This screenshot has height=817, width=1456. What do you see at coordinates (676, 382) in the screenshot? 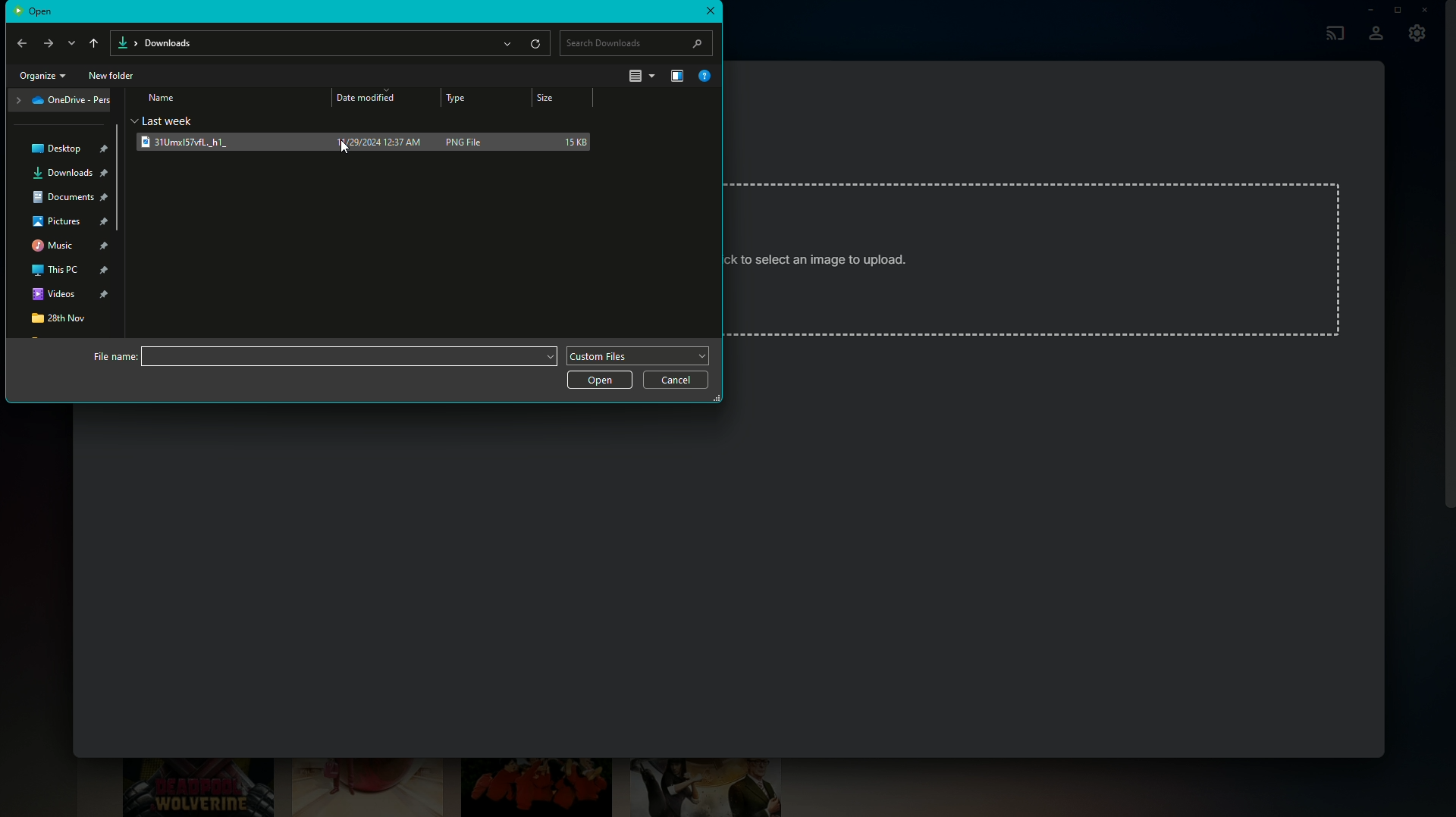
I see `Cancel` at bounding box center [676, 382].